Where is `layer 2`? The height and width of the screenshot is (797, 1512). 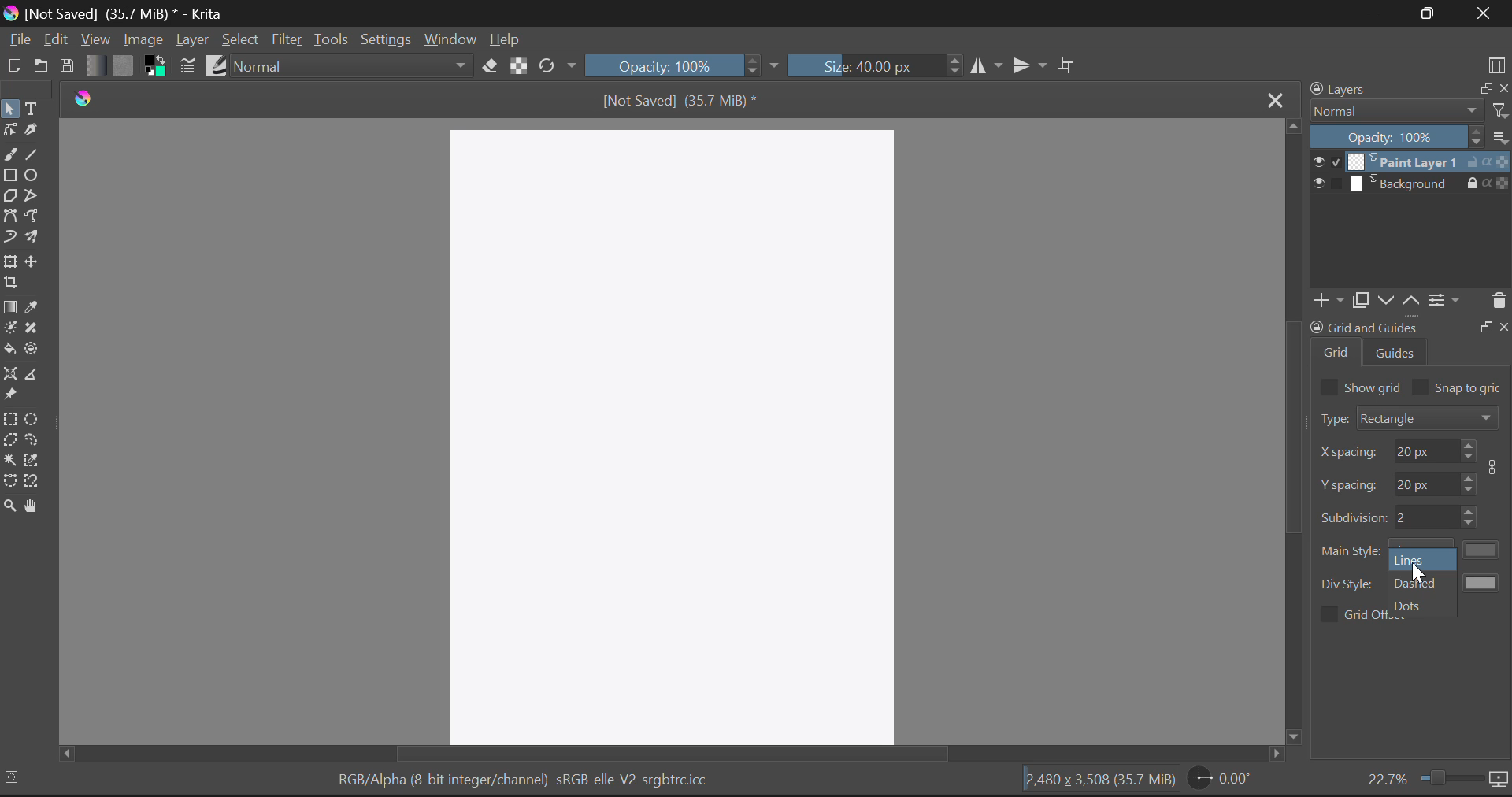
layer 2 is located at coordinates (1403, 183).